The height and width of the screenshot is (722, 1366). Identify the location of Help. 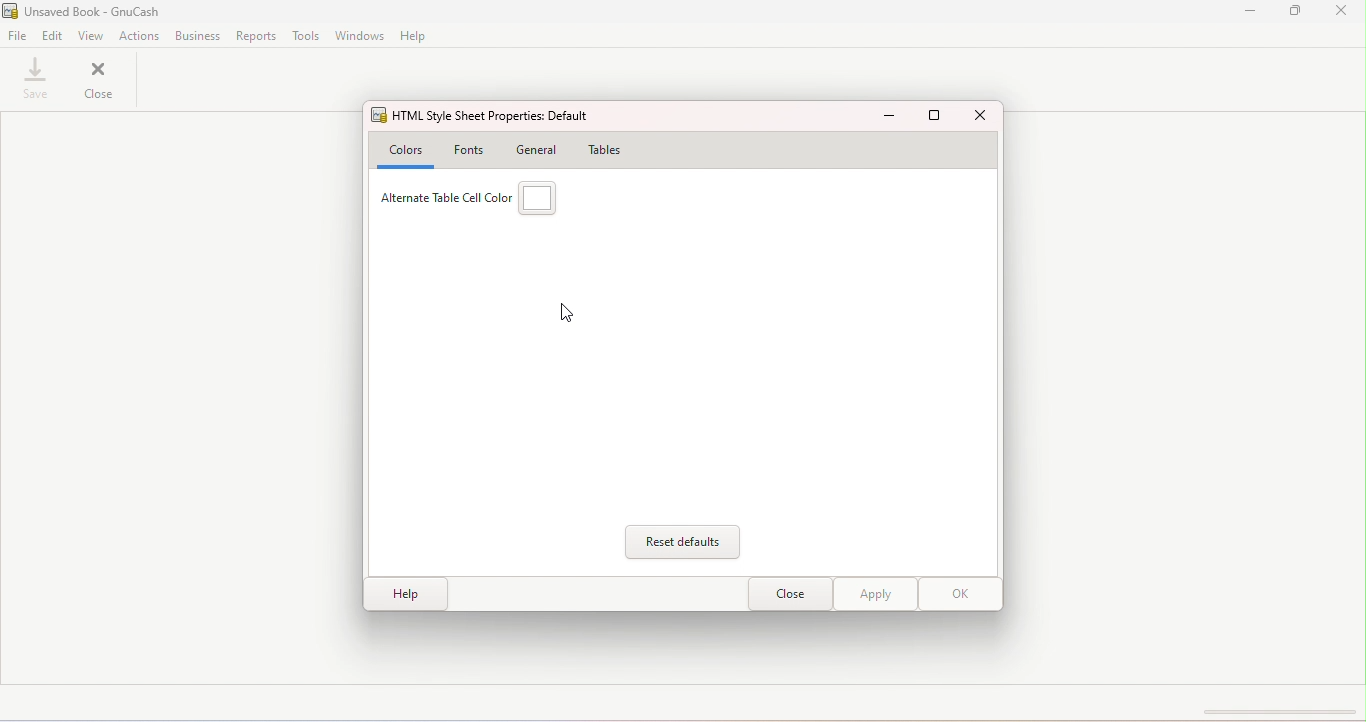
(407, 593).